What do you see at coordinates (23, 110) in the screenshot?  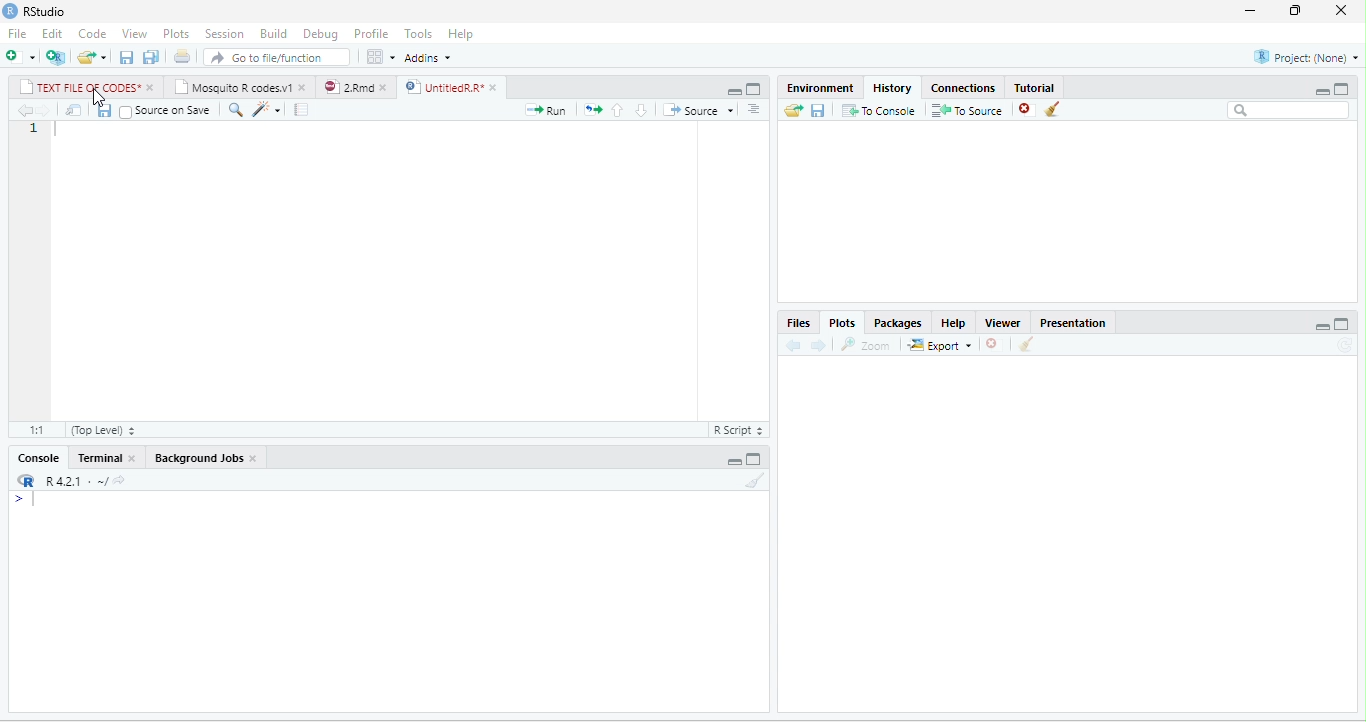 I see `back` at bounding box center [23, 110].